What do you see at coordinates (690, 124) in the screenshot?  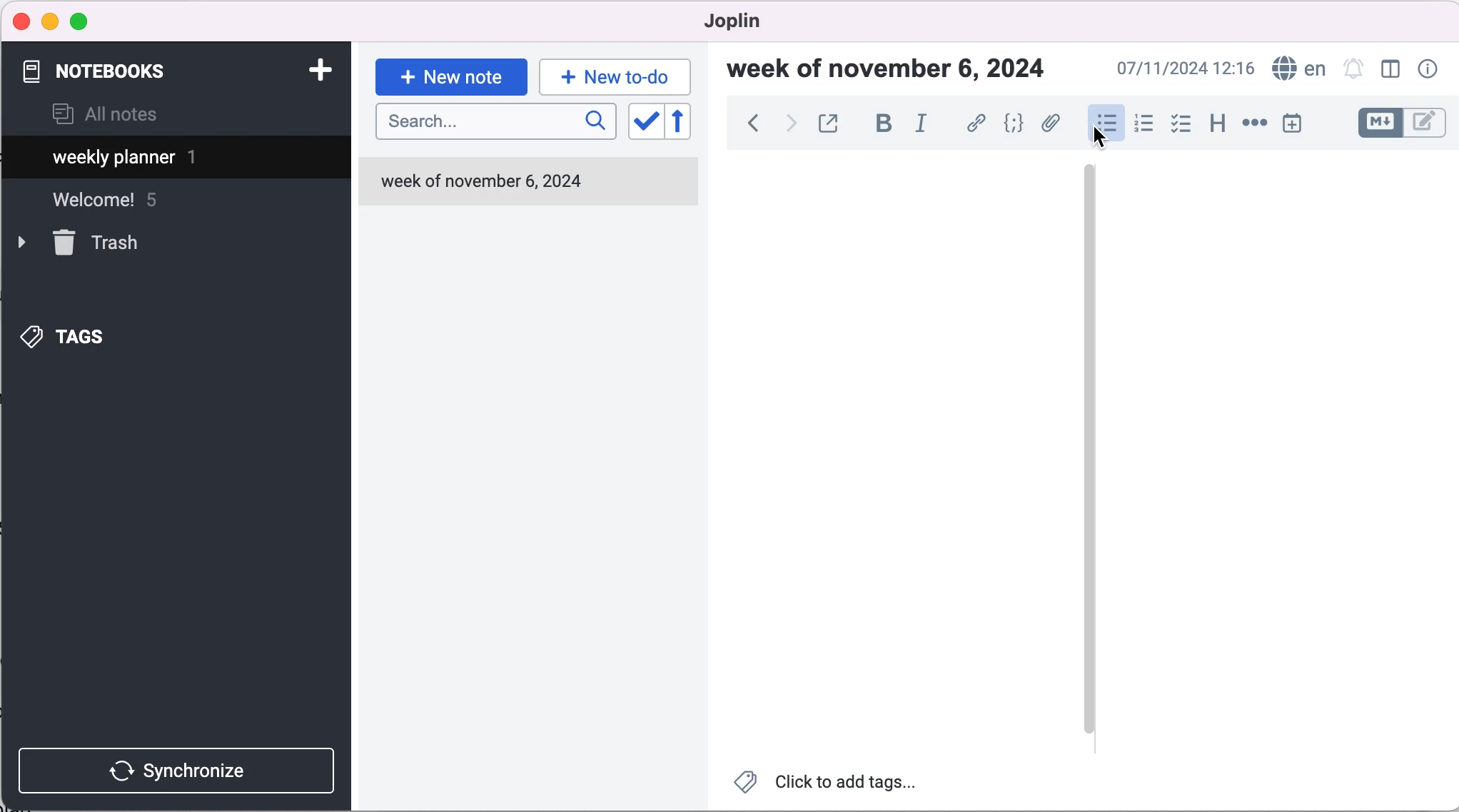 I see `reverse sort order` at bounding box center [690, 124].